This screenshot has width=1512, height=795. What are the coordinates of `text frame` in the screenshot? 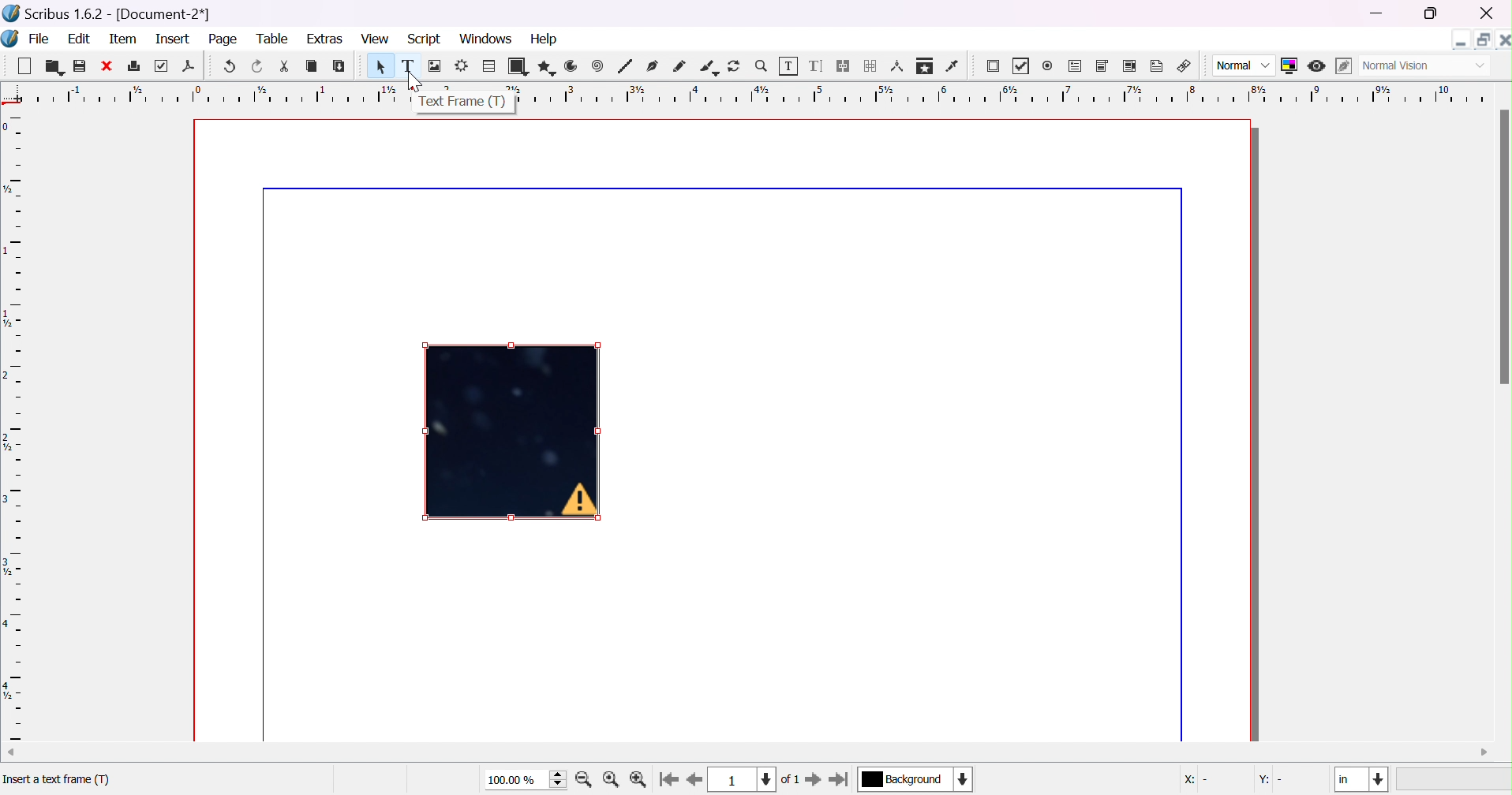 It's located at (407, 66).